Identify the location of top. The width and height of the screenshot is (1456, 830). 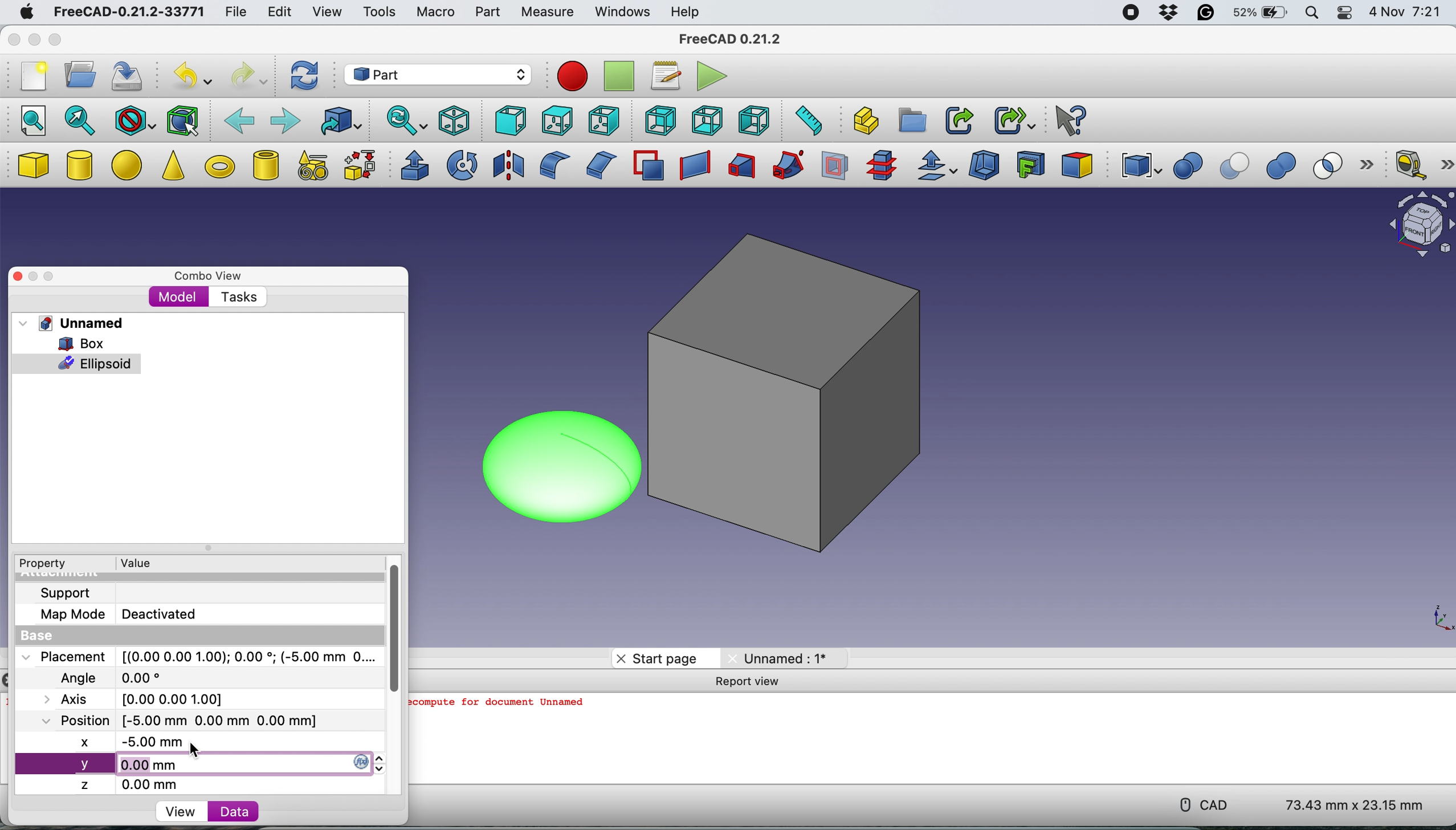
(555, 120).